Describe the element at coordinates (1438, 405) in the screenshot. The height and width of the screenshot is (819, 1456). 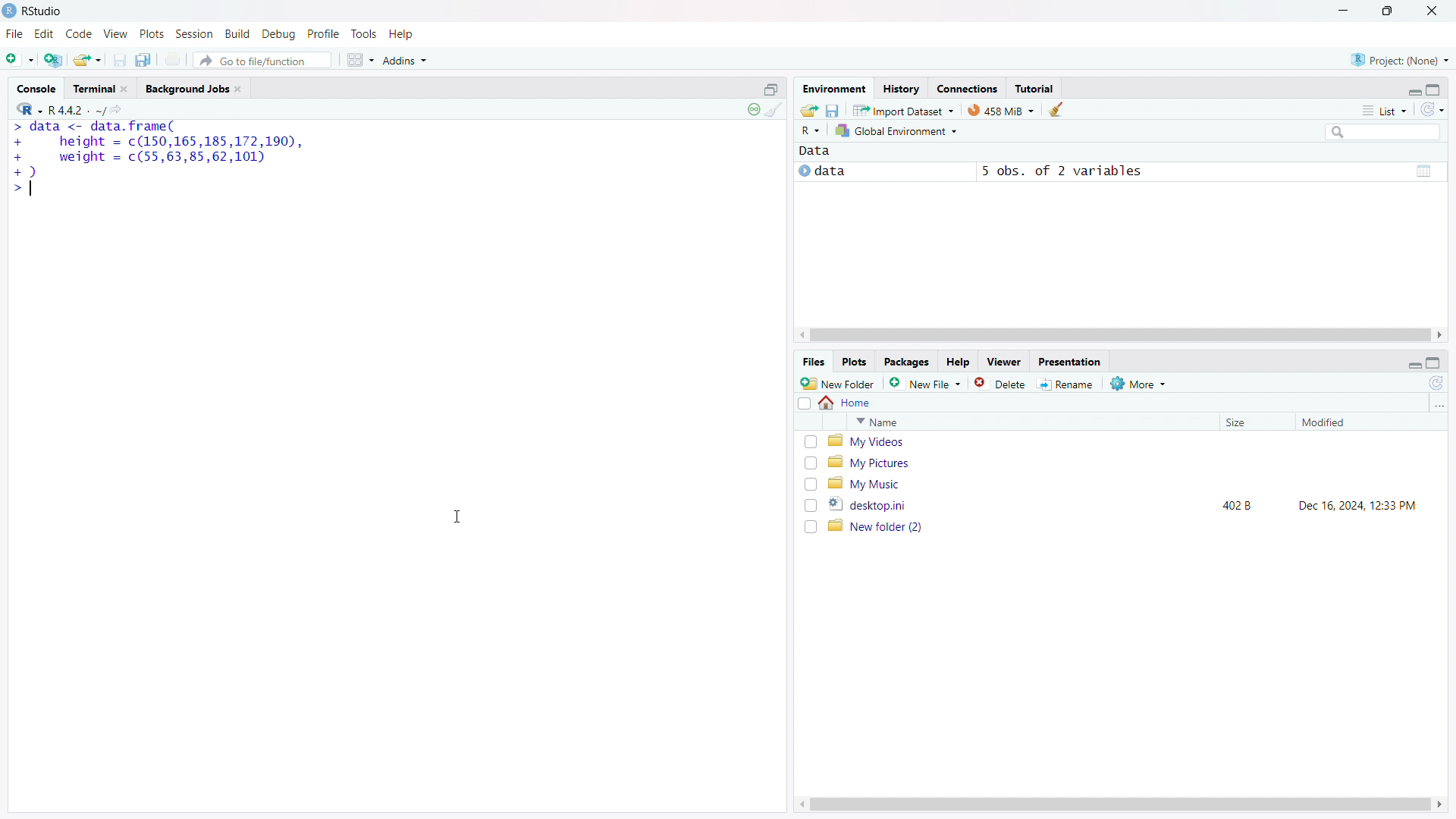
I see `go to directory` at that location.